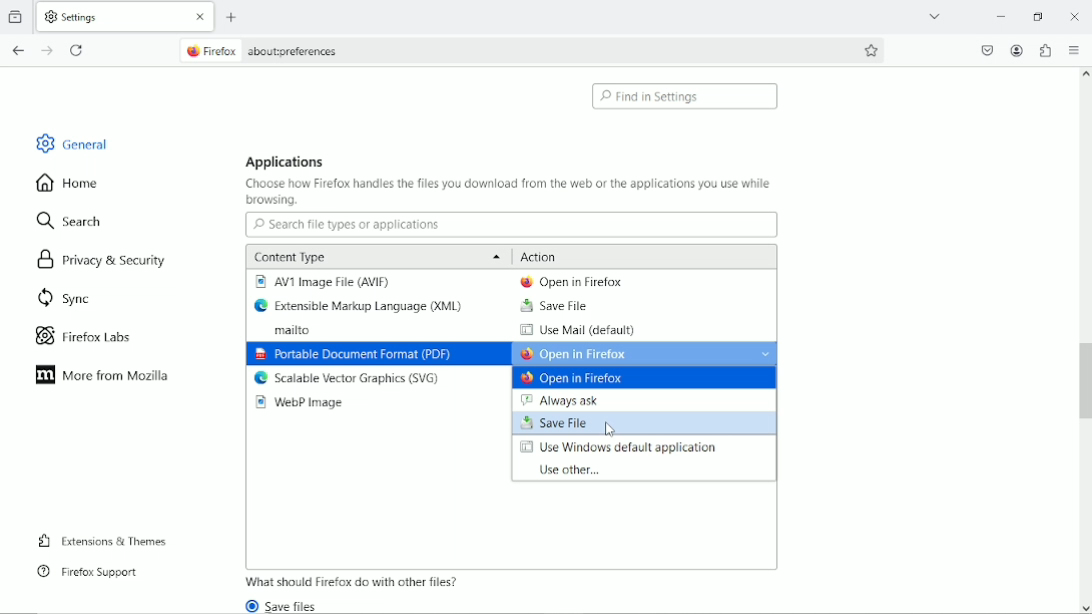 The width and height of the screenshot is (1092, 614). What do you see at coordinates (288, 605) in the screenshot?
I see `Save Files` at bounding box center [288, 605].